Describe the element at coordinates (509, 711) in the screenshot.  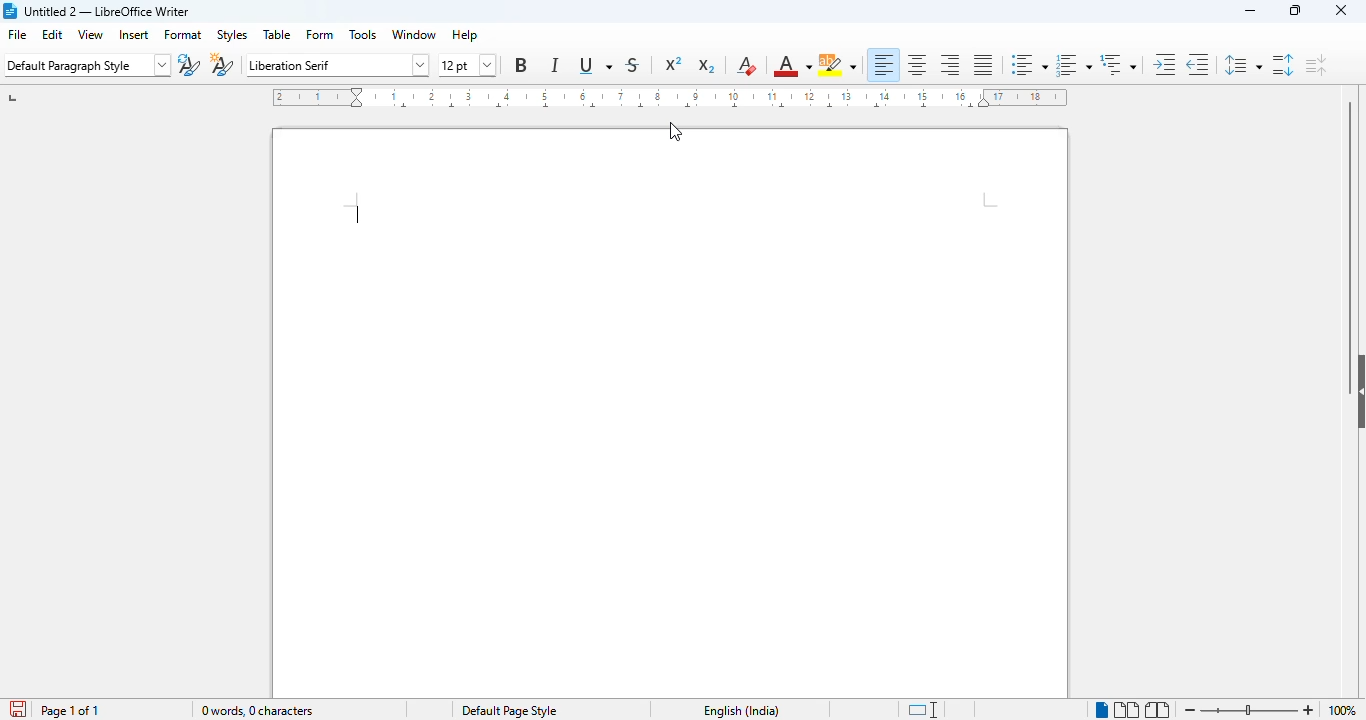
I see `default page style` at that location.